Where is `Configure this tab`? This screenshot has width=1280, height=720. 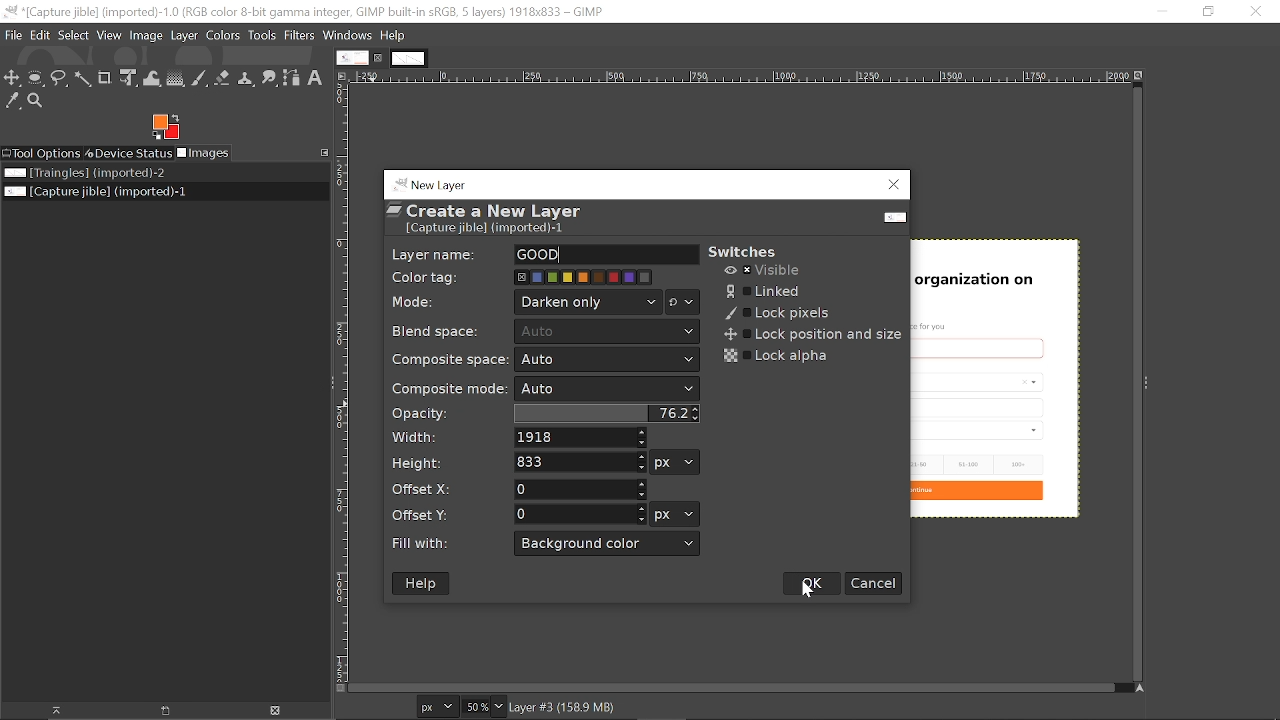
Configure this tab is located at coordinates (323, 151).